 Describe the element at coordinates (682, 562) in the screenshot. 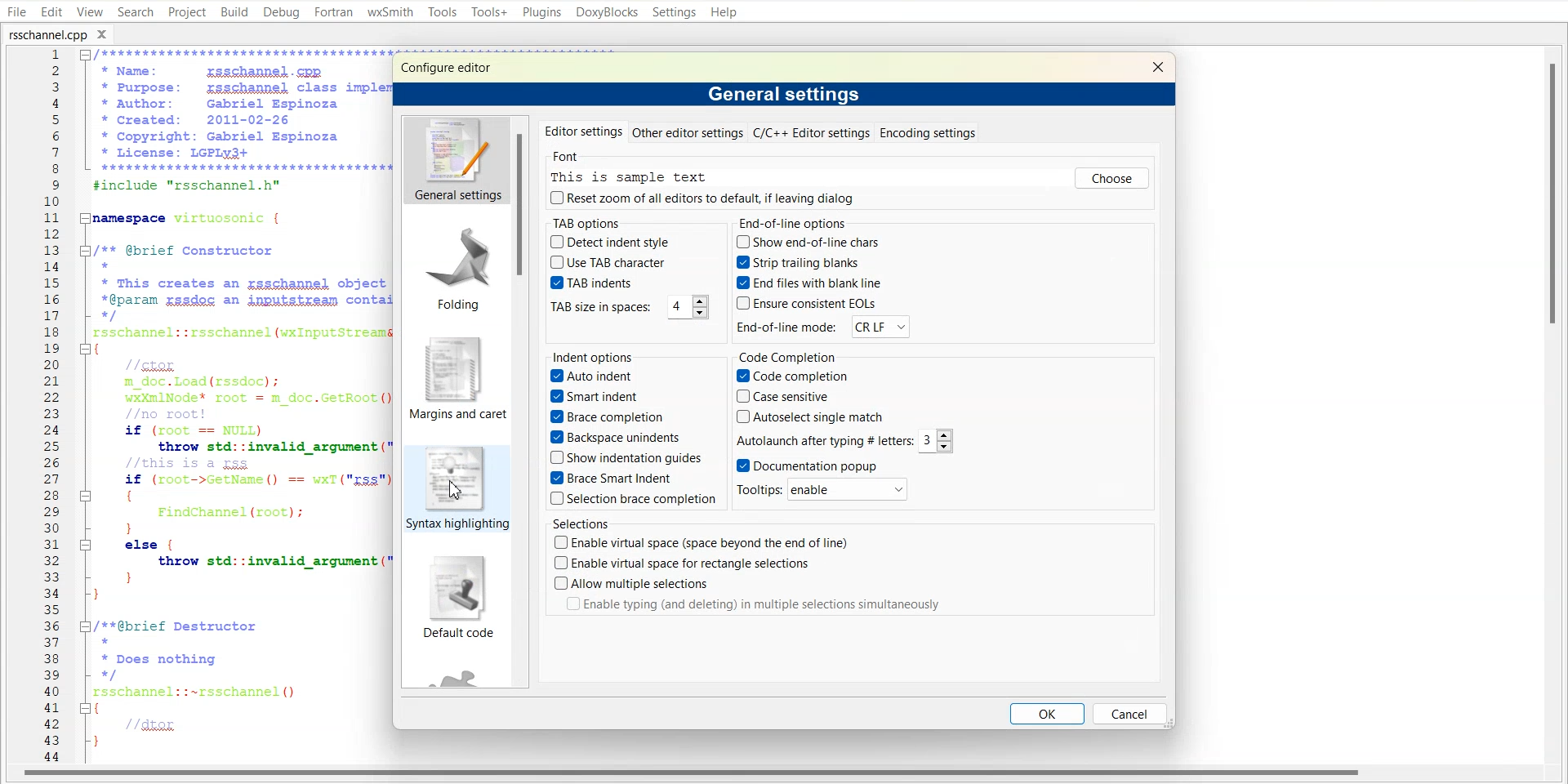

I see `Enable virtual space for rectangle selection` at that location.